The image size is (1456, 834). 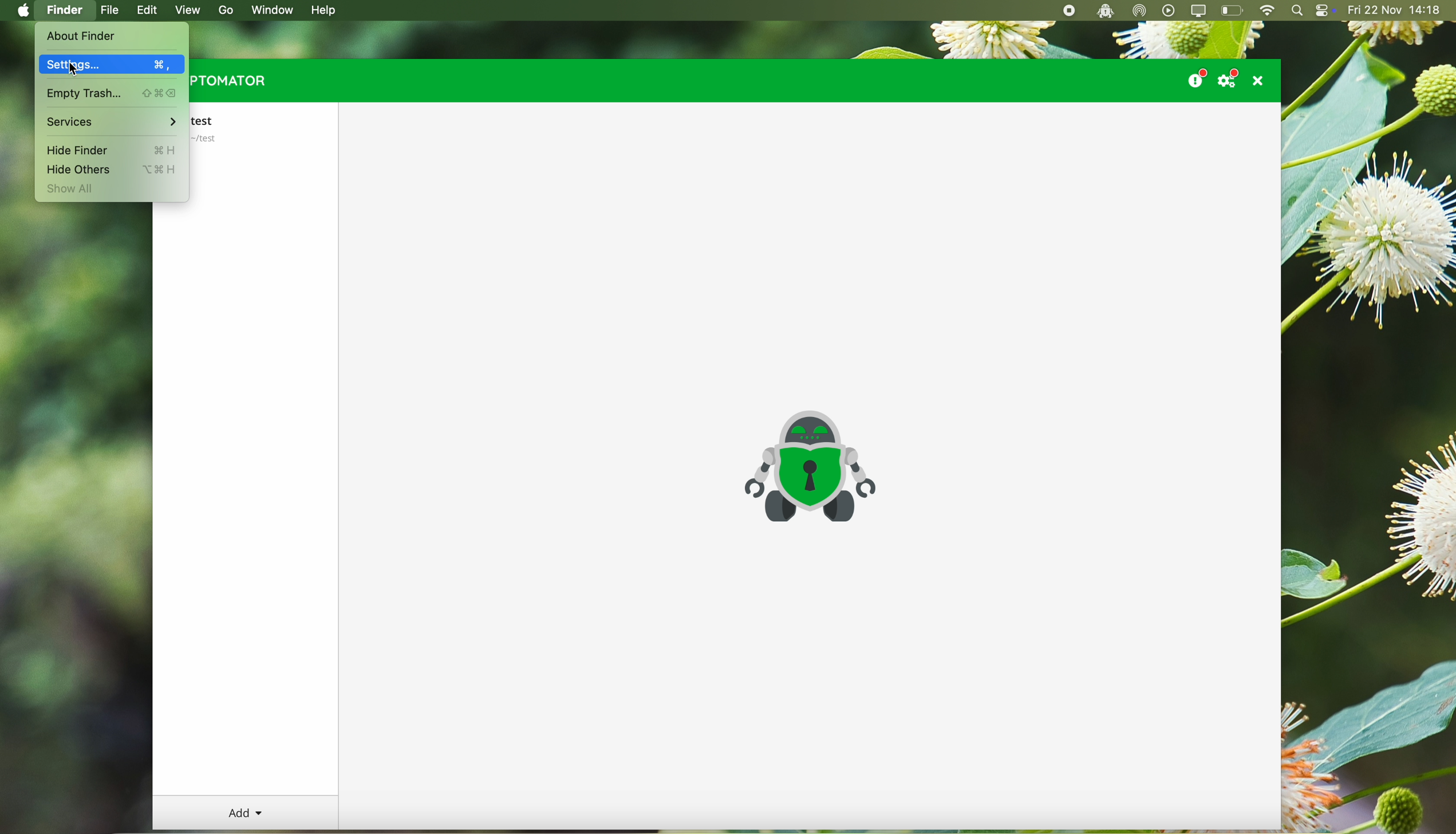 What do you see at coordinates (112, 94) in the screenshot?
I see `empty trash` at bounding box center [112, 94].